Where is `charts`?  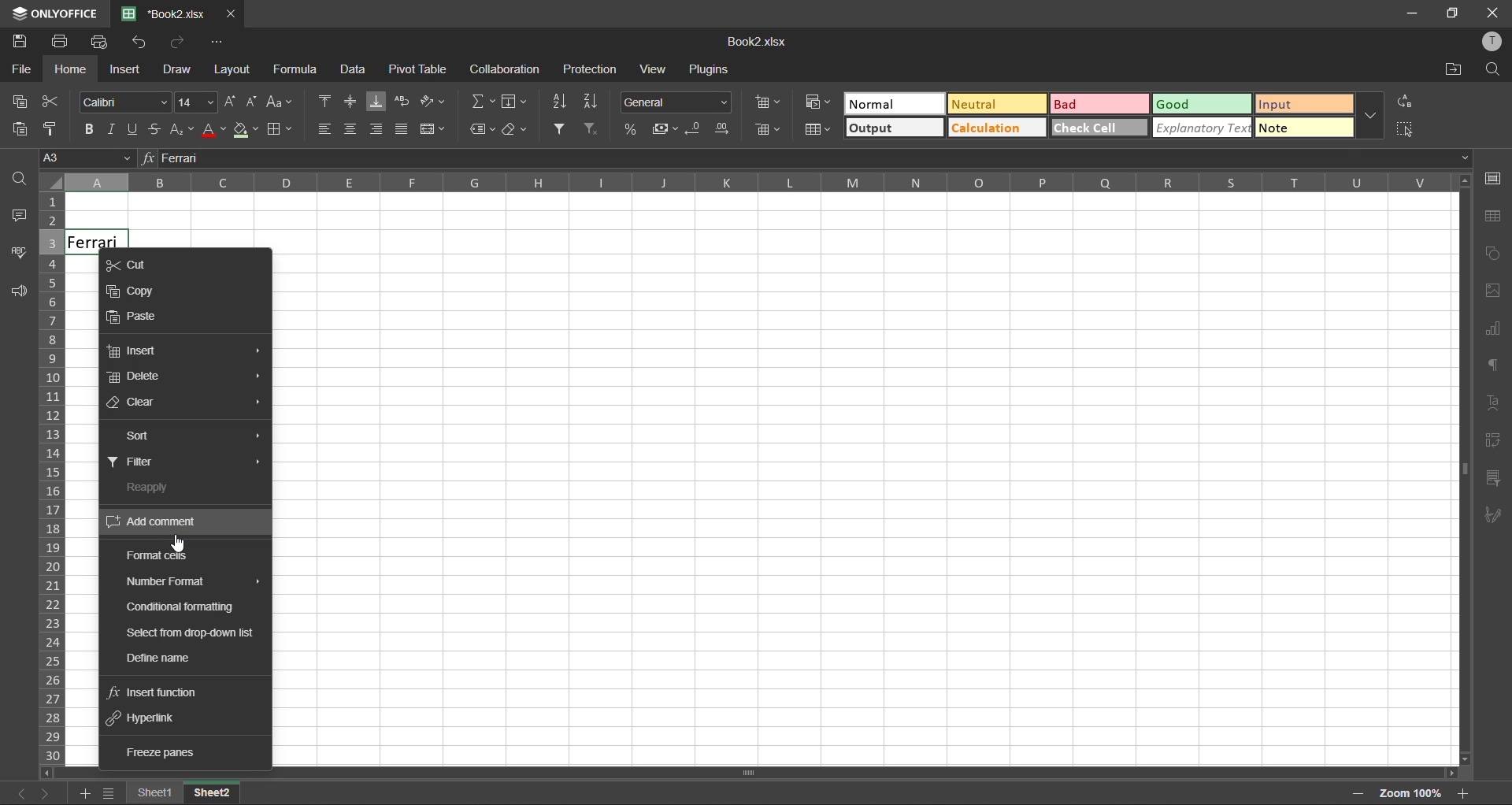
charts is located at coordinates (1495, 333).